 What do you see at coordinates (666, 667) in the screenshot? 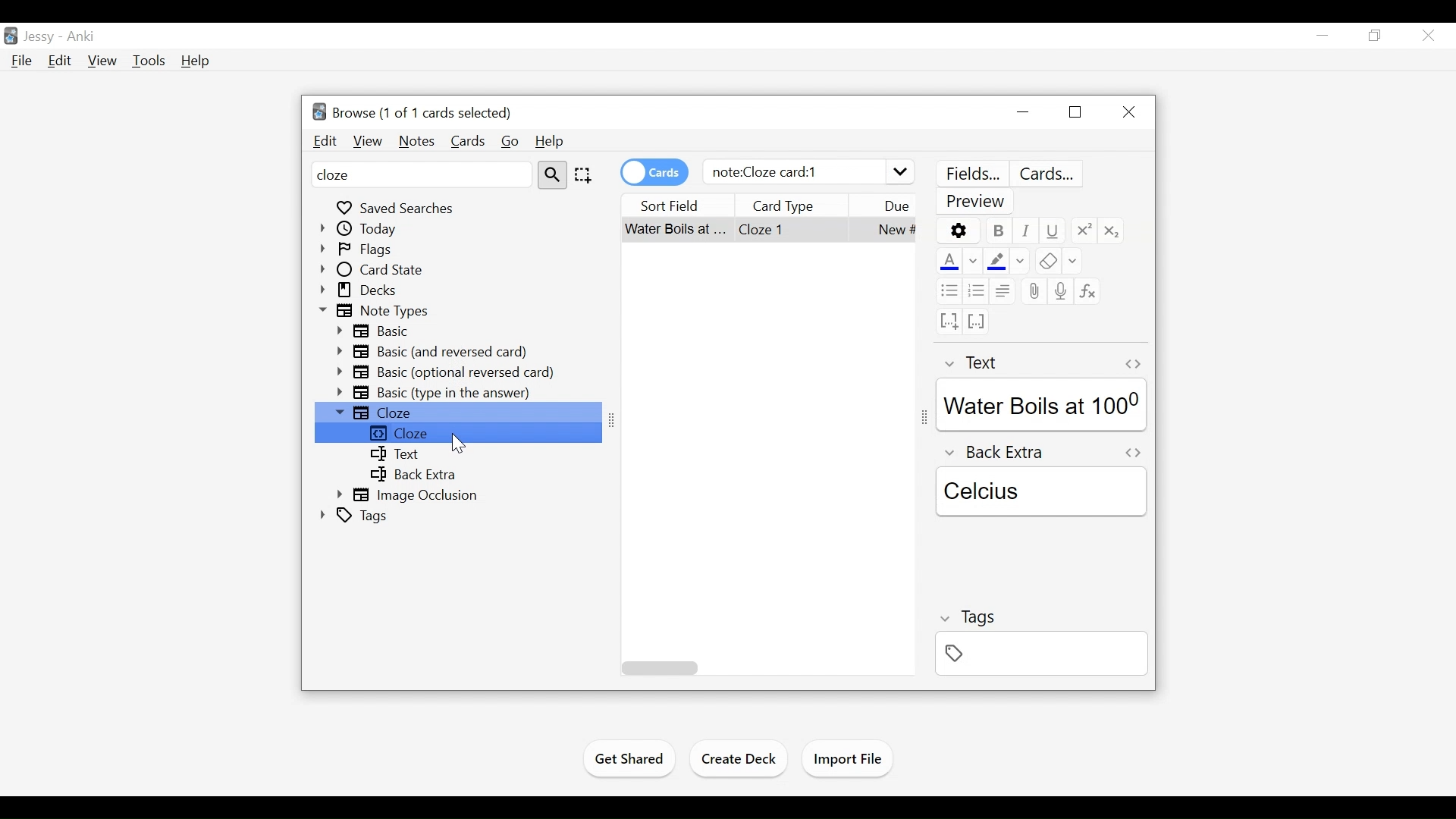
I see `Horizontal Scroll bar` at bounding box center [666, 667].